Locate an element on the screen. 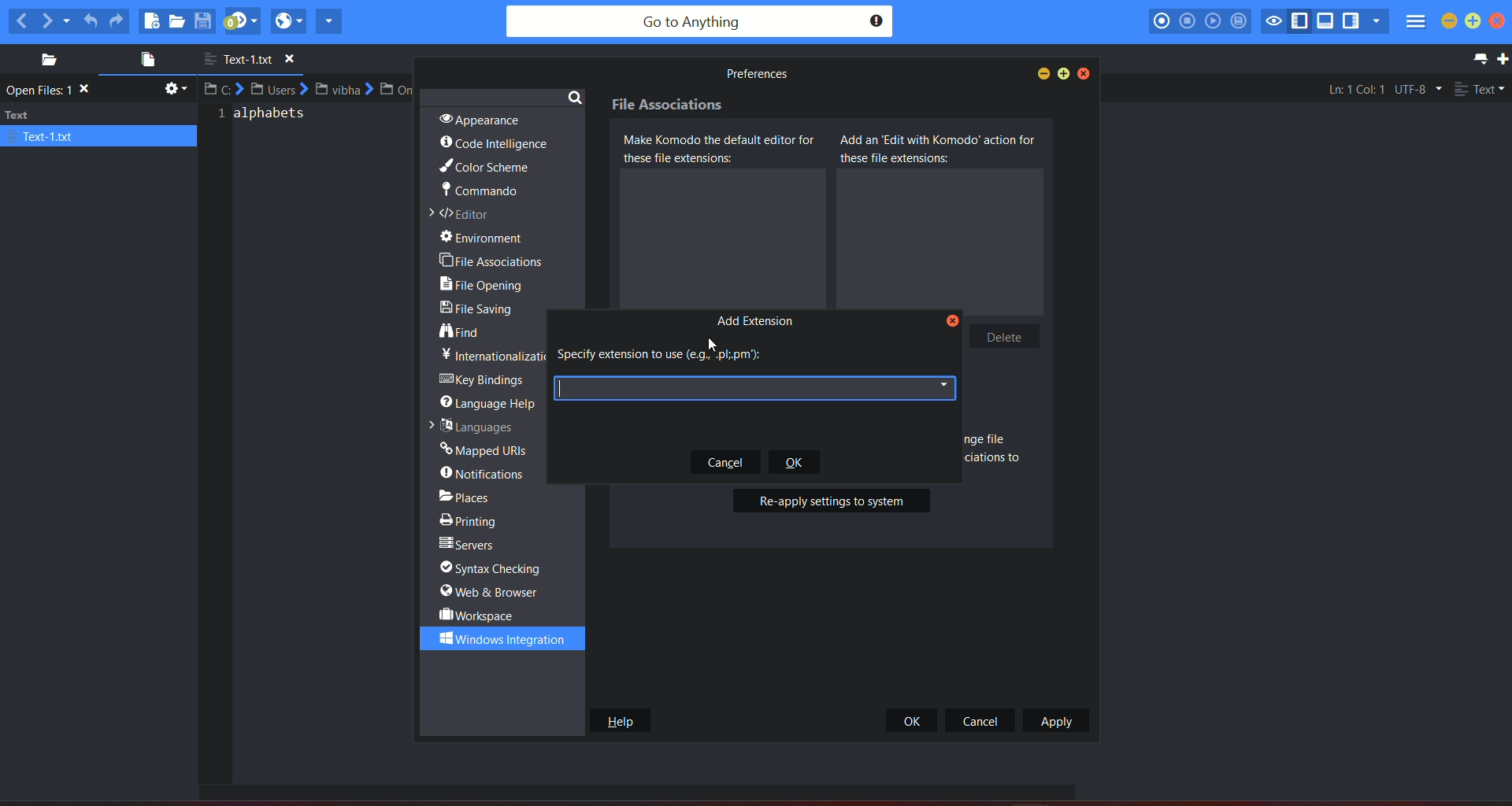  file encoding is located at coordinates (1417, 89).